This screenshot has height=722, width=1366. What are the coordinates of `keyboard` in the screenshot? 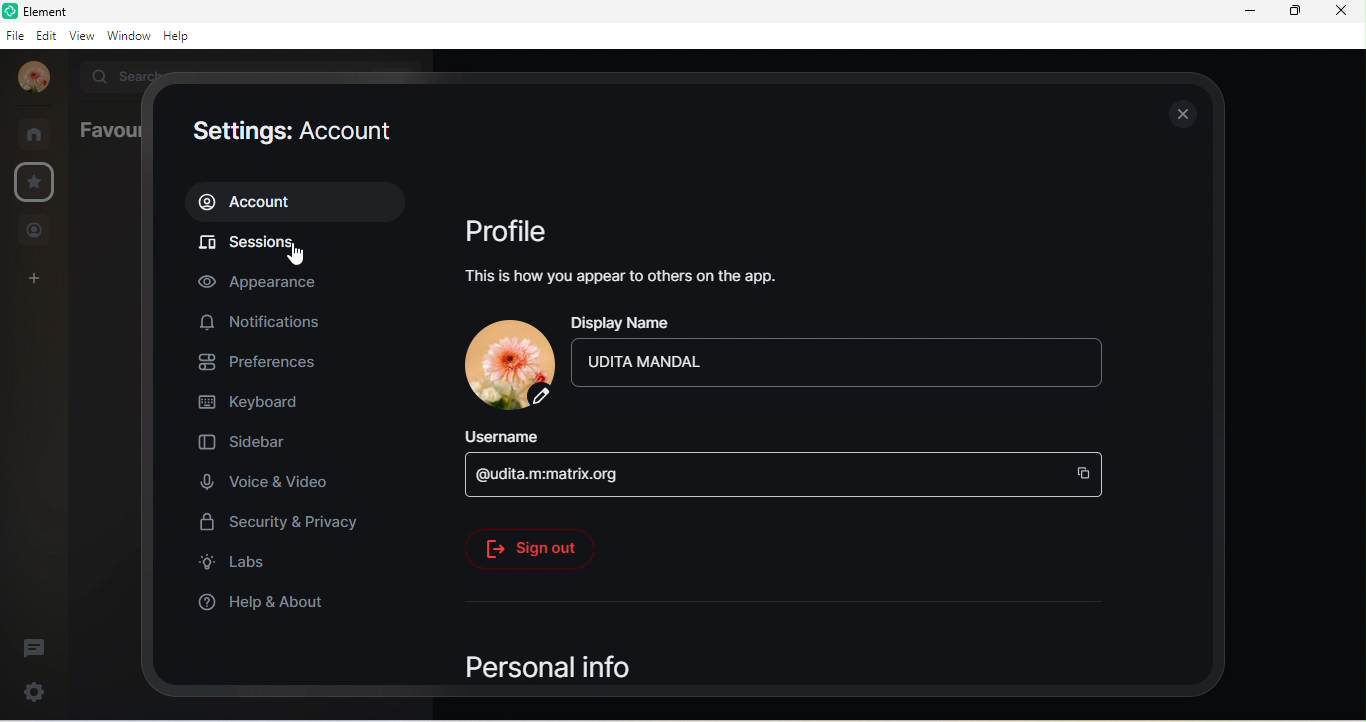 It's located at (255, 405).